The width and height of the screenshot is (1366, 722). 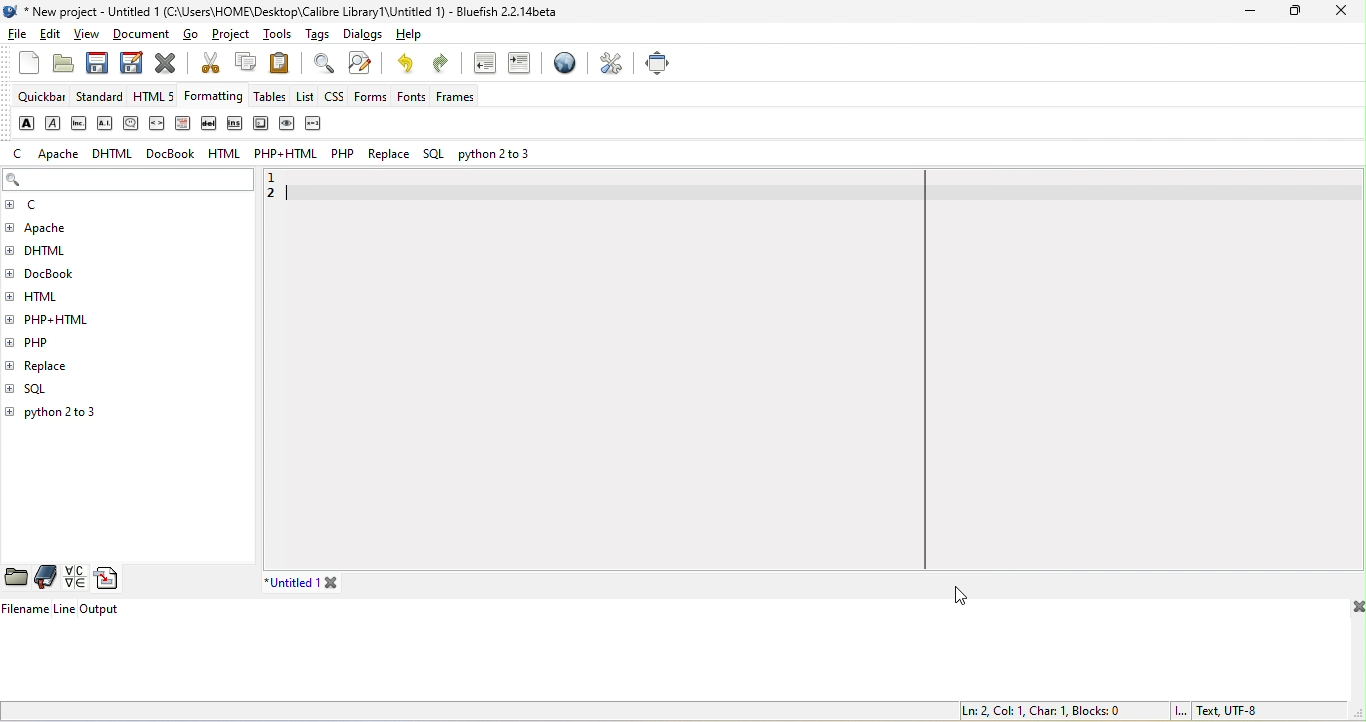 I want to click on save, so click(x=97, y=63).